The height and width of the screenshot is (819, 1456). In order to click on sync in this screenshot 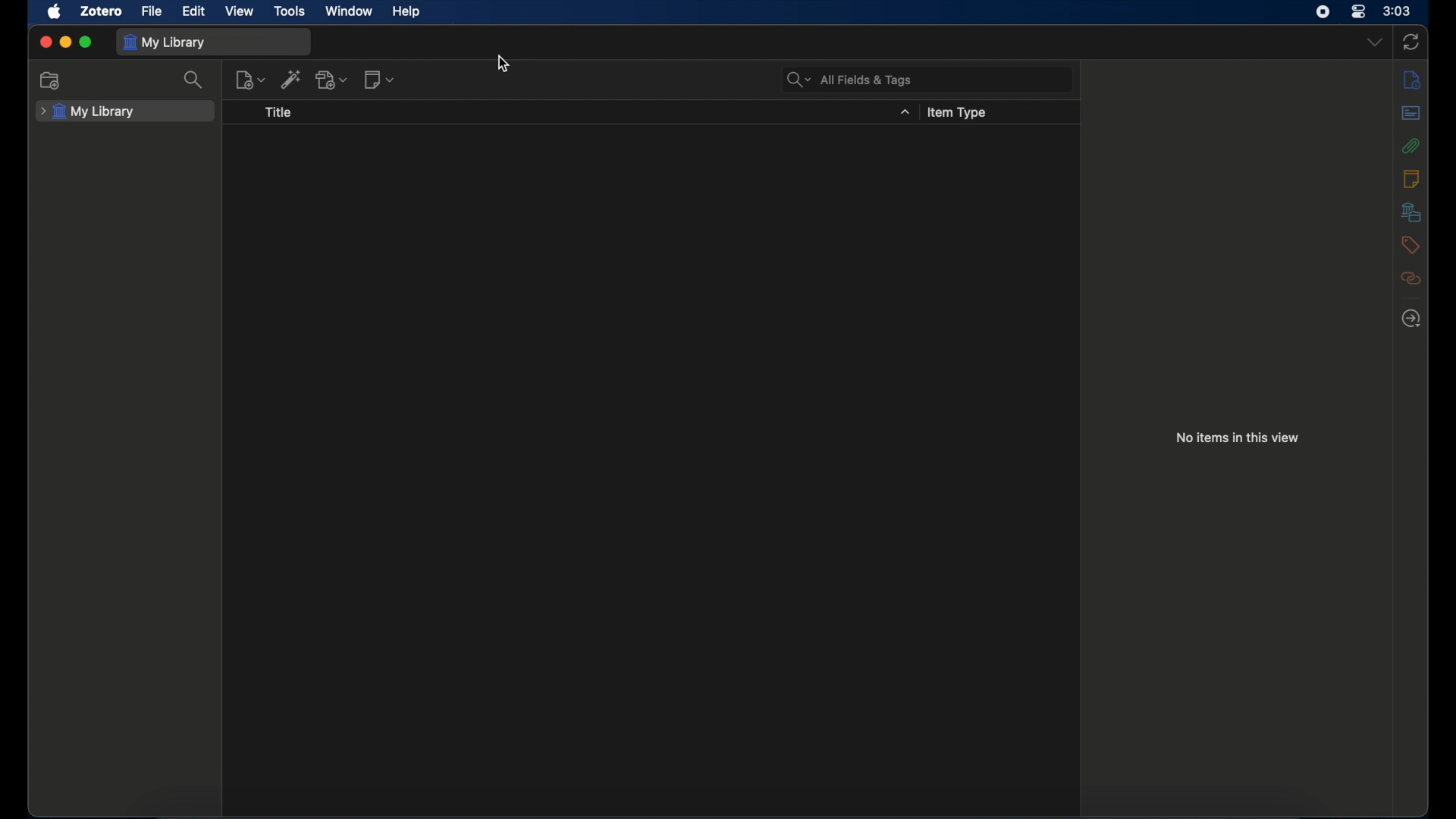, I will do `click(1411, 42)`.